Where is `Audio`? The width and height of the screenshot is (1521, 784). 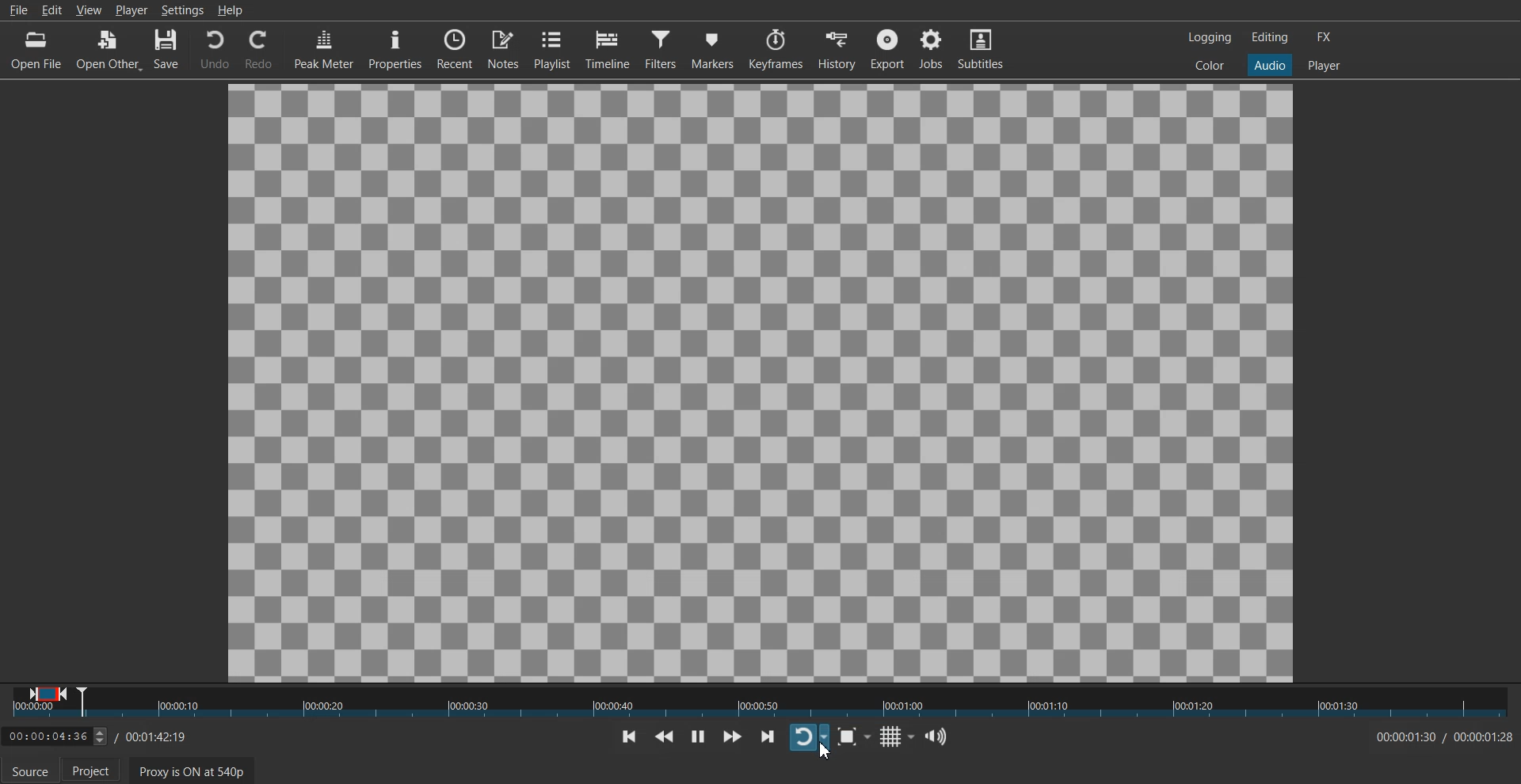
Audio is located at coordinates (1270, 66).